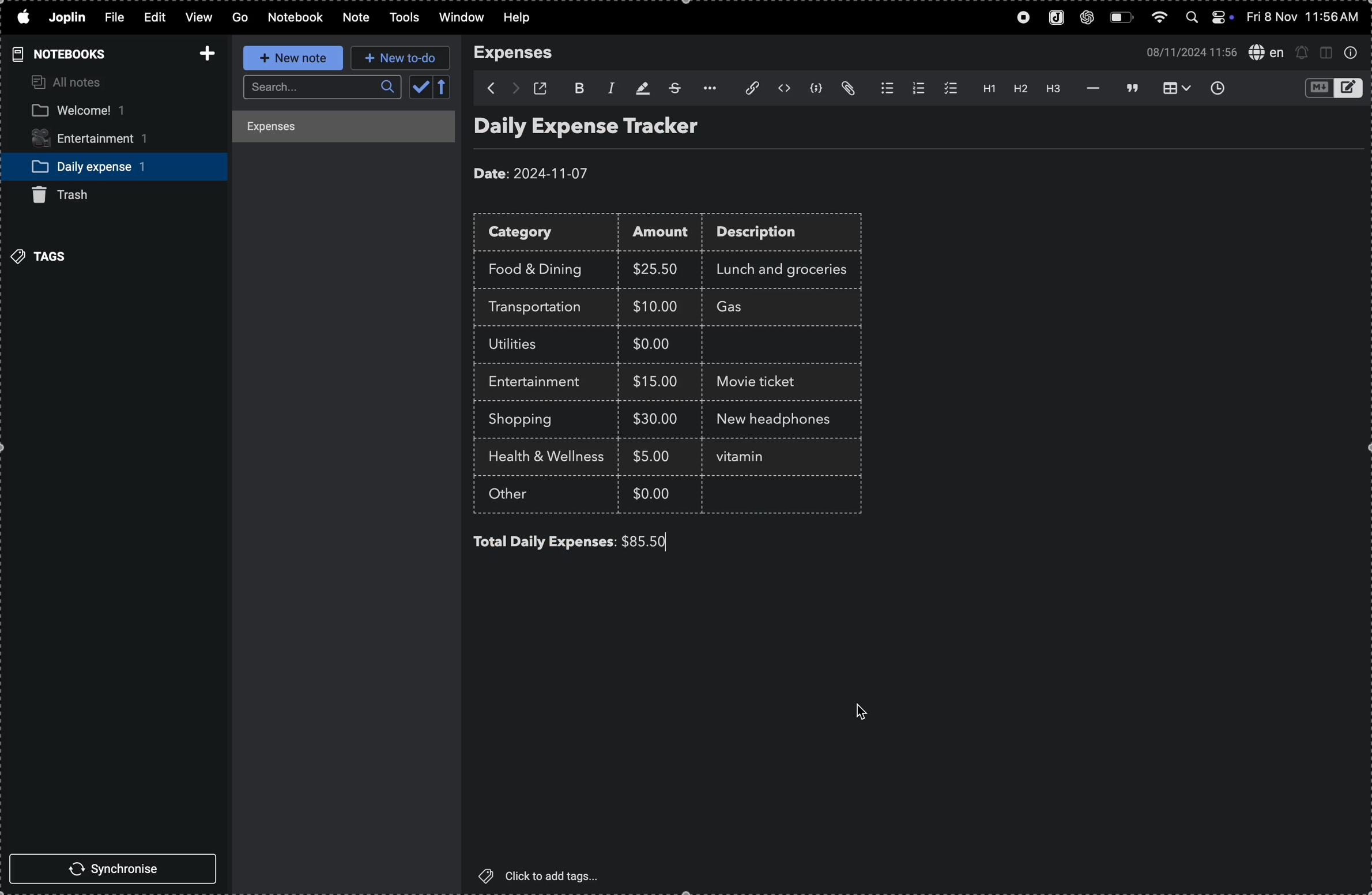  What do you see at coordinates (534, 170) in the screenshot?
I see `date` at bounding box center [534, 170].